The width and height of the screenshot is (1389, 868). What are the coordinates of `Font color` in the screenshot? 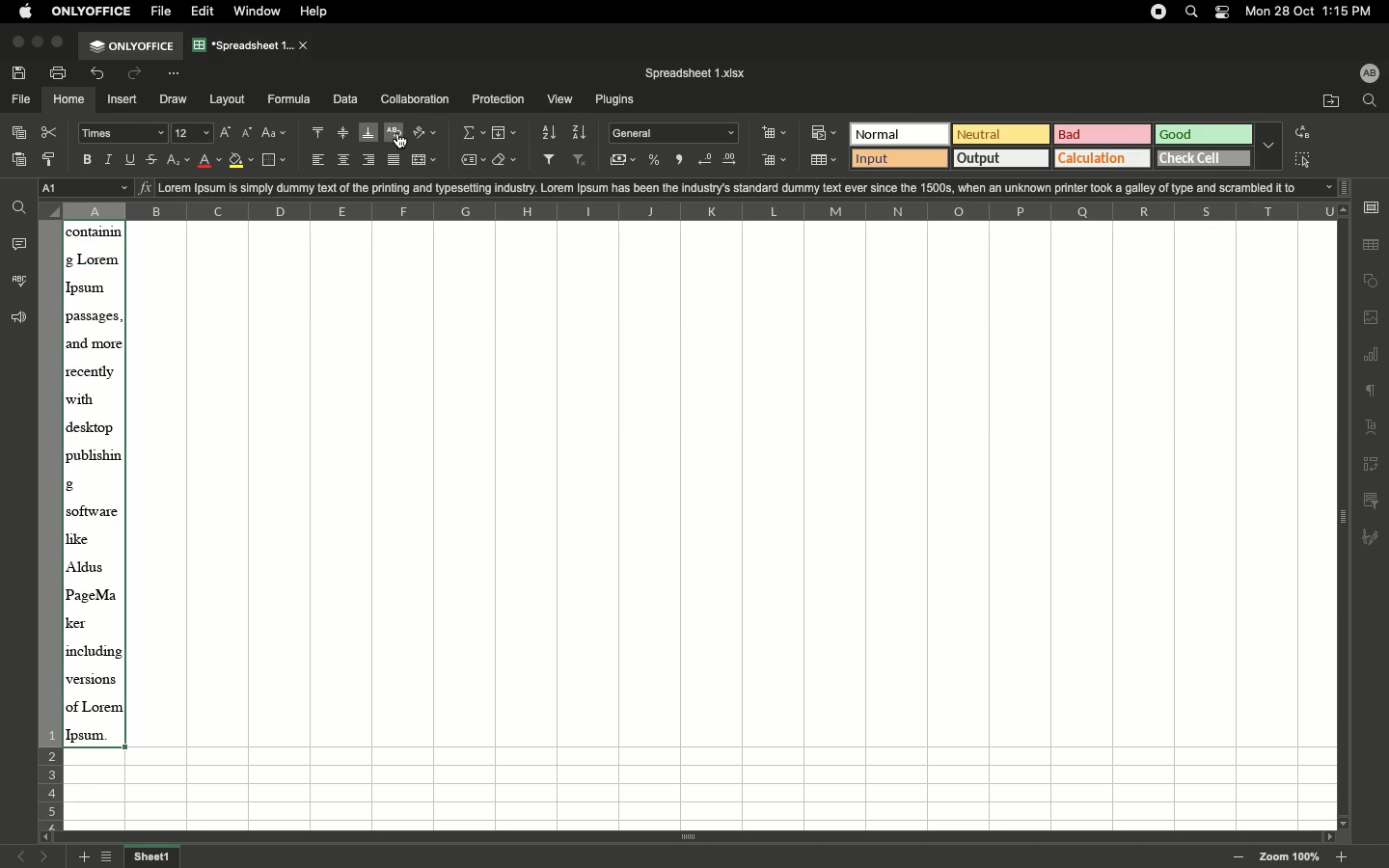 It's located at (210, 160).